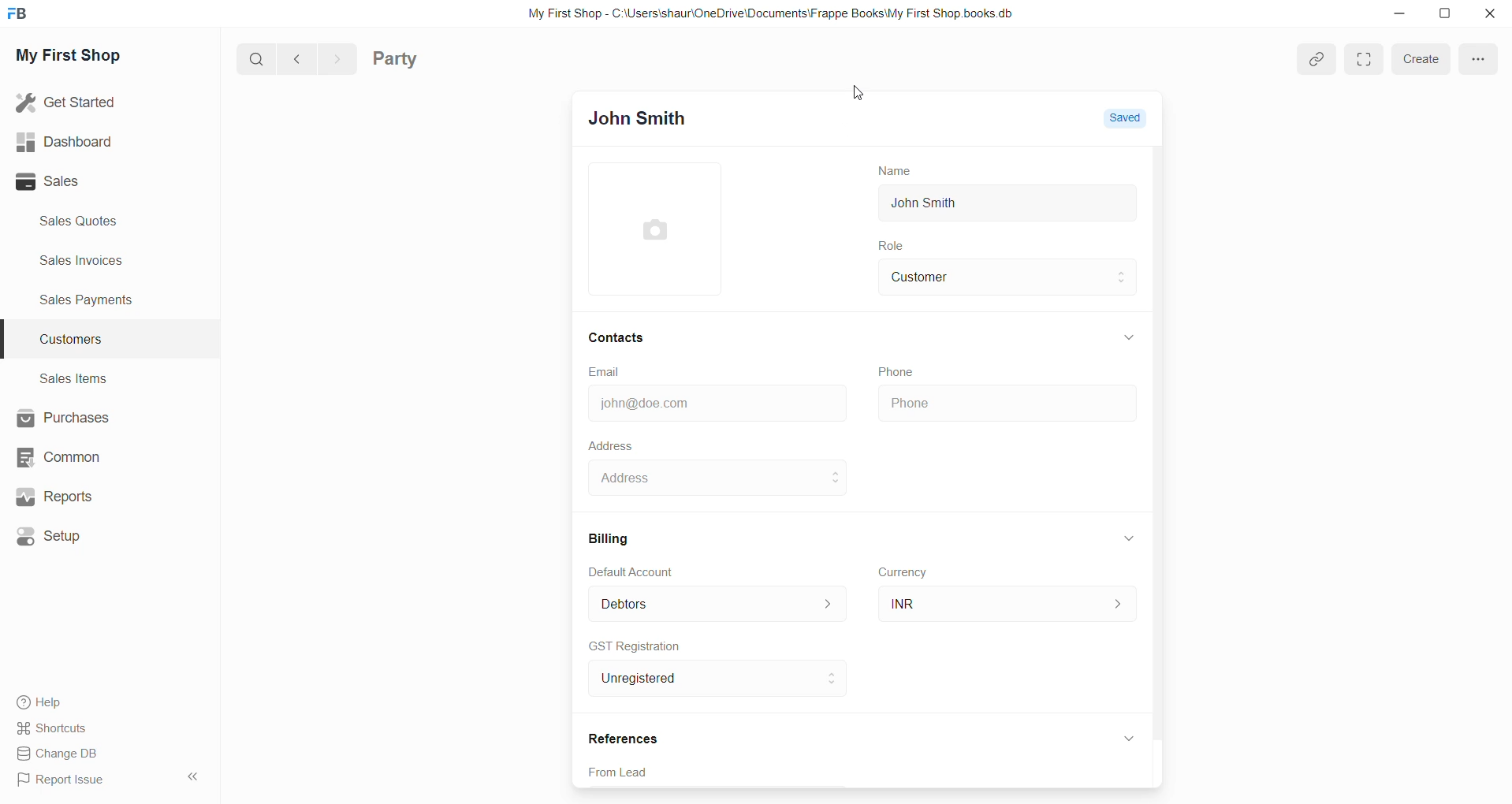  What do you see at coordinates (64, 418) in the screenshot?
I see `Purchases` at bounding box center [64, 418].